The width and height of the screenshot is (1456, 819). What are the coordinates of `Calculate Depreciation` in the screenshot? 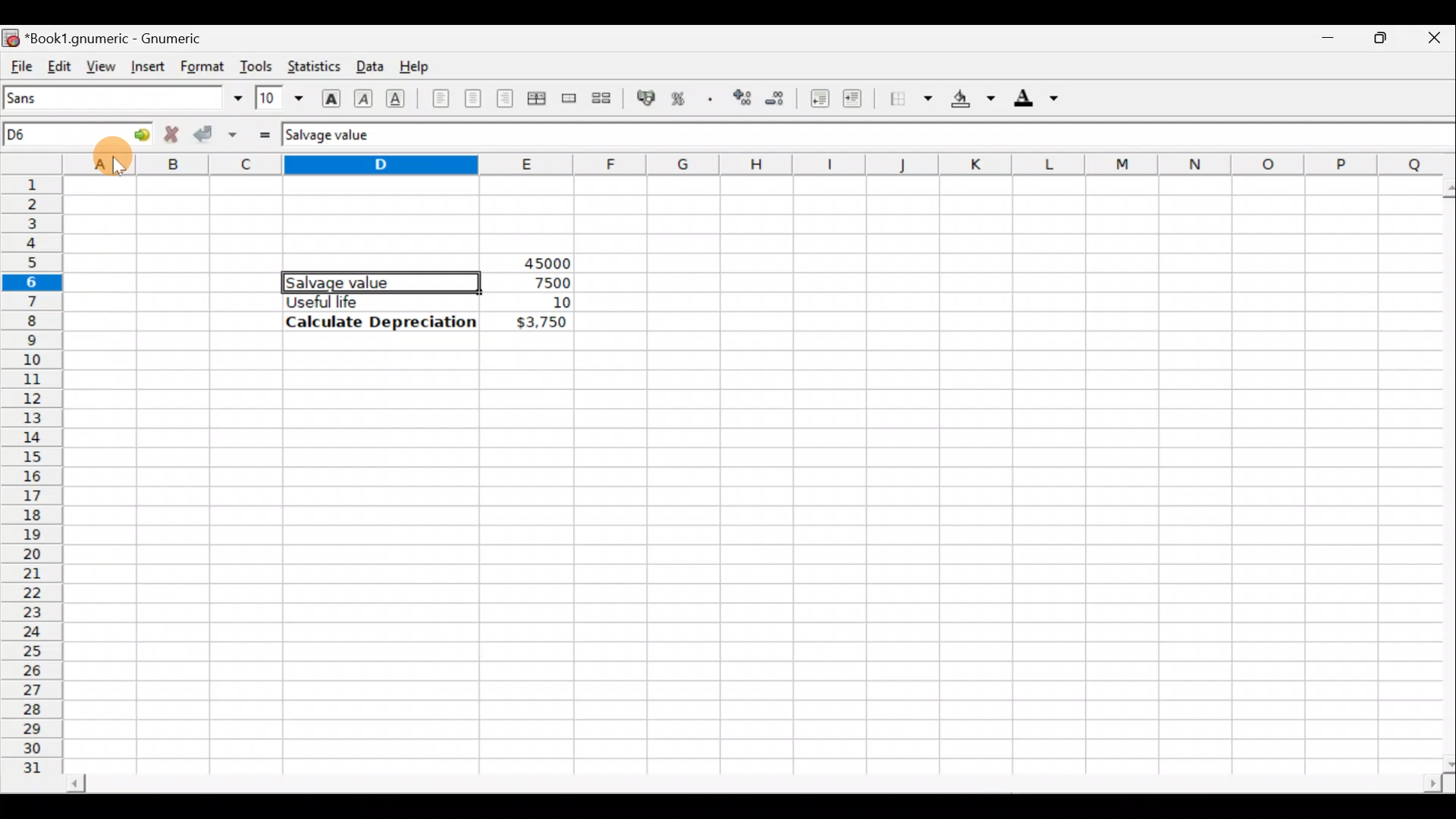 It's located at (381, 321).